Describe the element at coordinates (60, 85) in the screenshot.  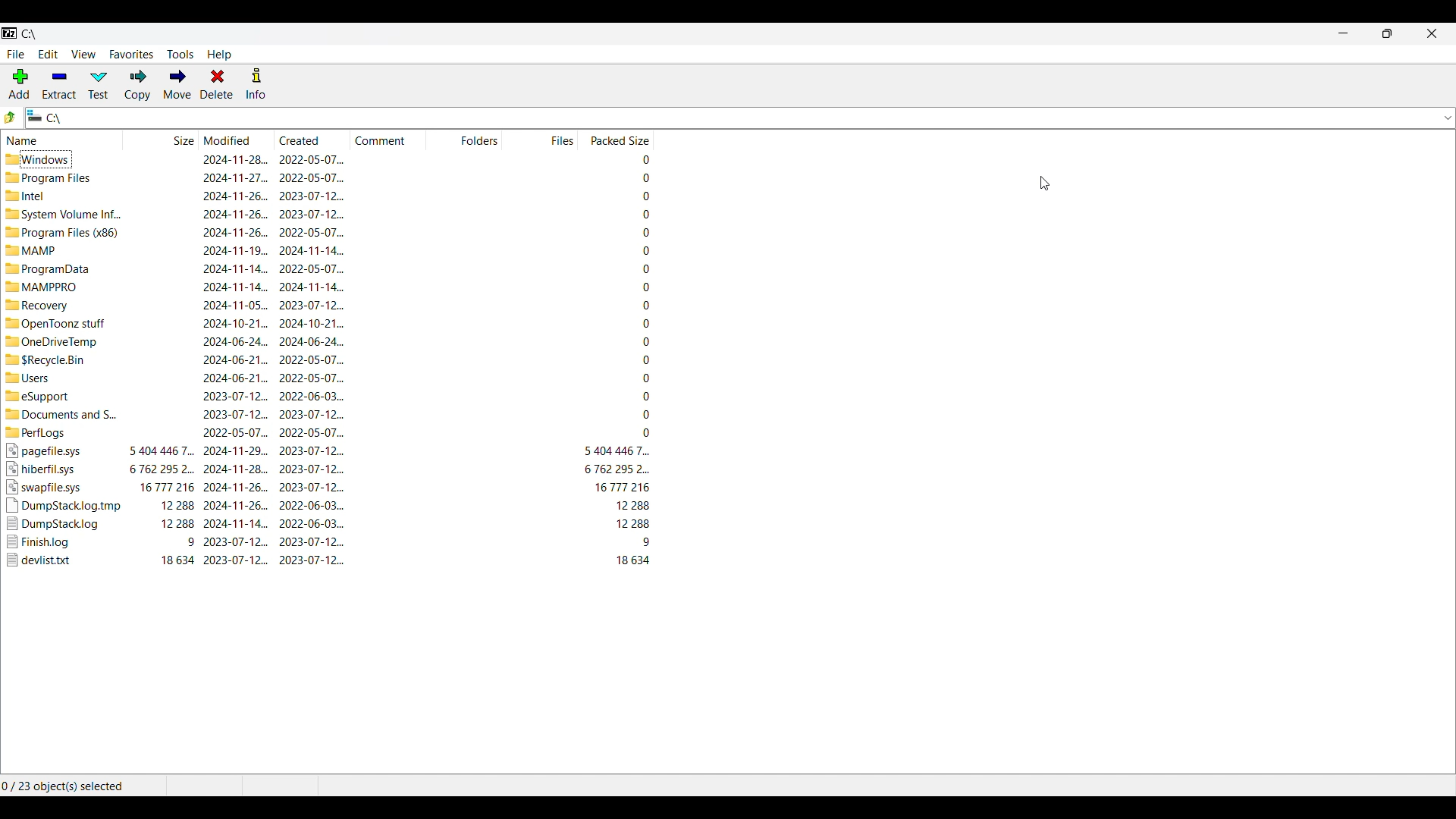
I see `Extract` at that location.